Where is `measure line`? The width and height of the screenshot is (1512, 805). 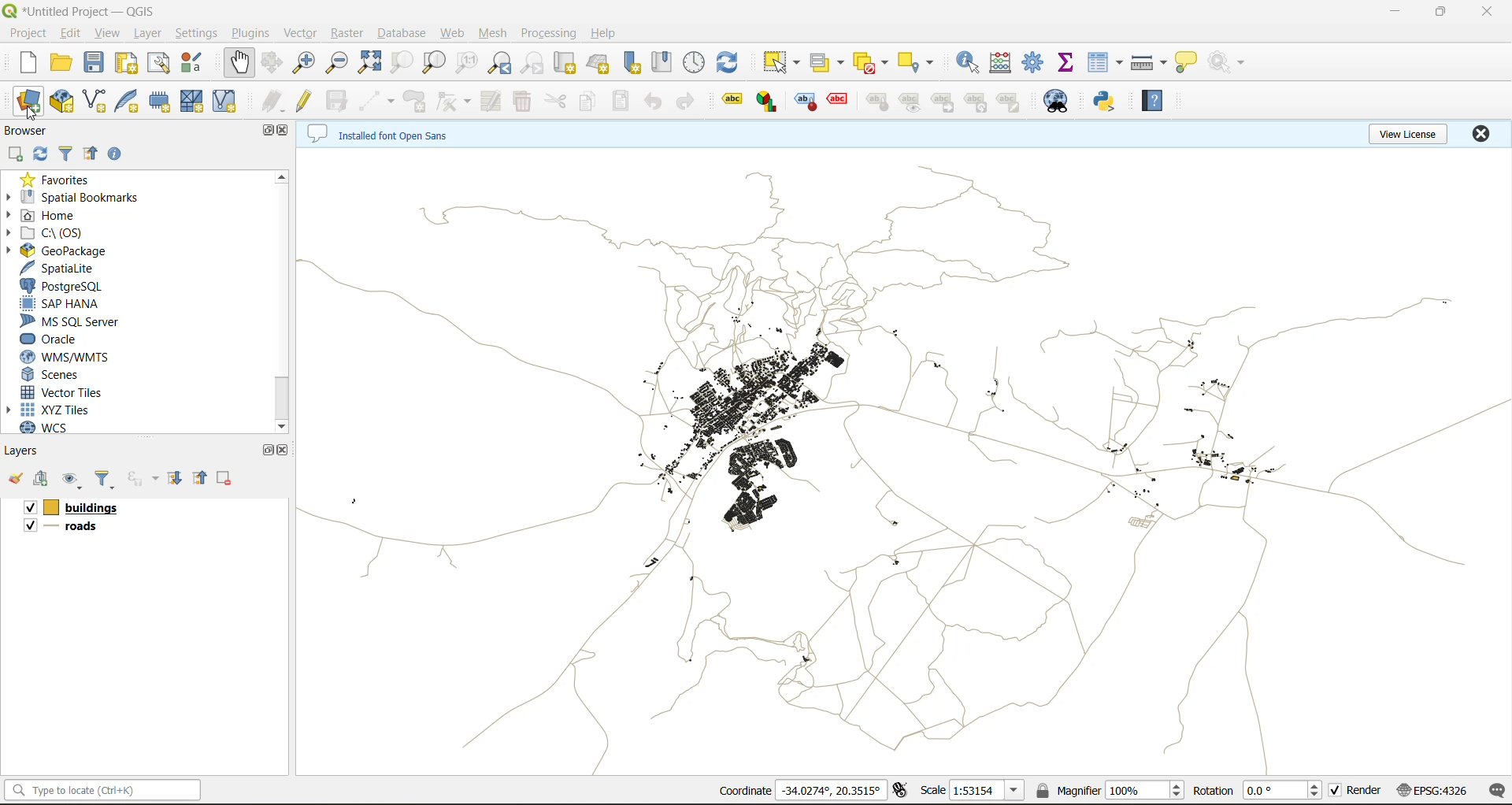 measure line is located at coordinates (1151, 63).